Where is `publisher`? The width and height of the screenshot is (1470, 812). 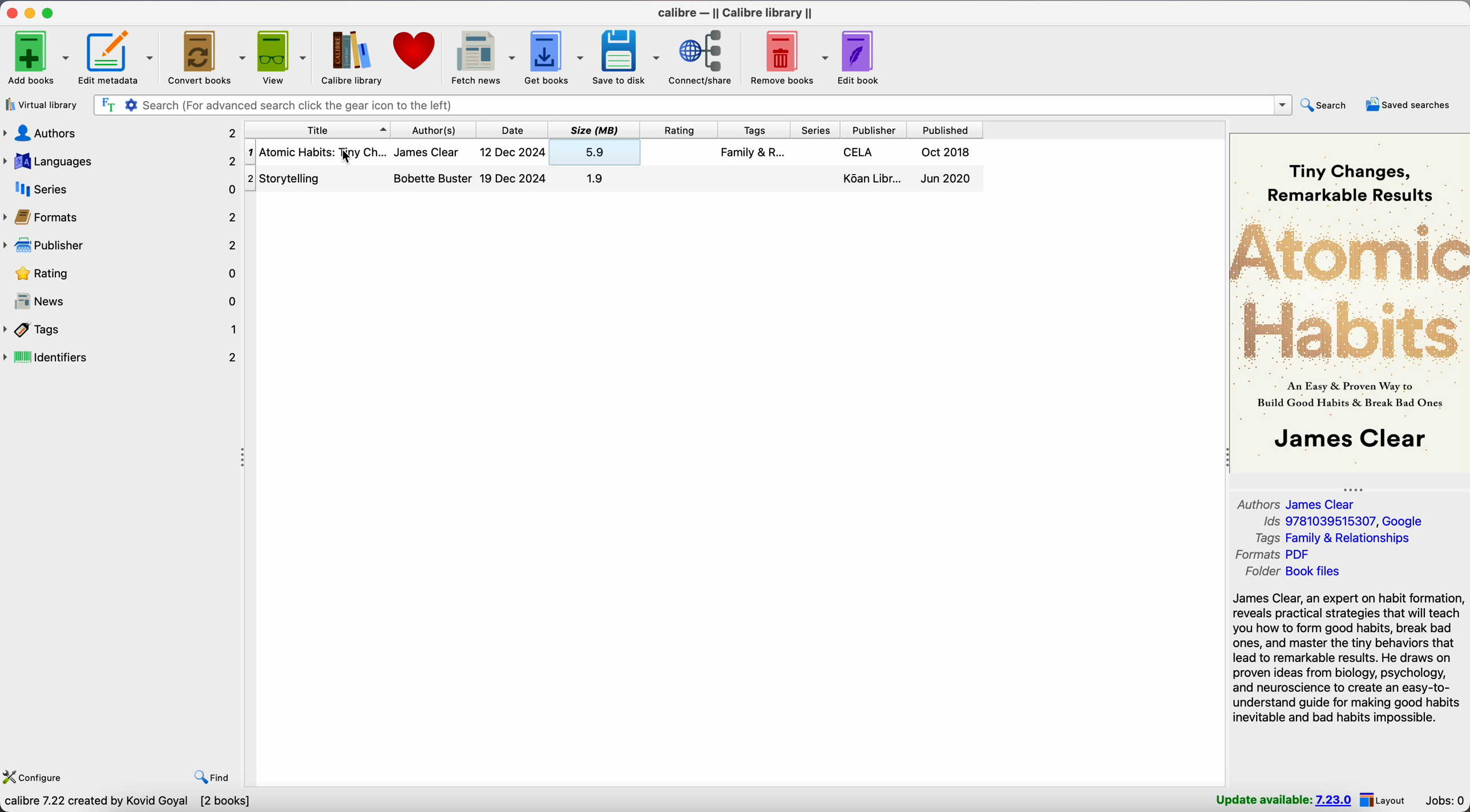 publisher is located at coordinates (122, 245).